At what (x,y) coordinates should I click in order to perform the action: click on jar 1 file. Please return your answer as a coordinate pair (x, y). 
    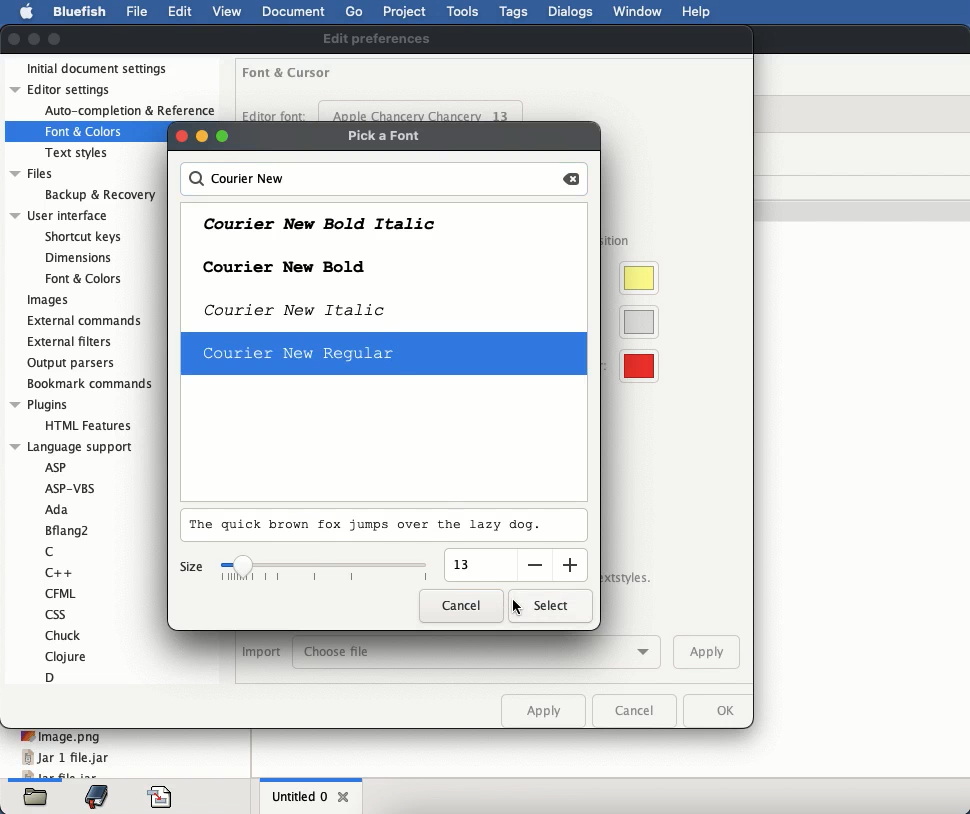
    Looking at the image, I should click on (65, 758).